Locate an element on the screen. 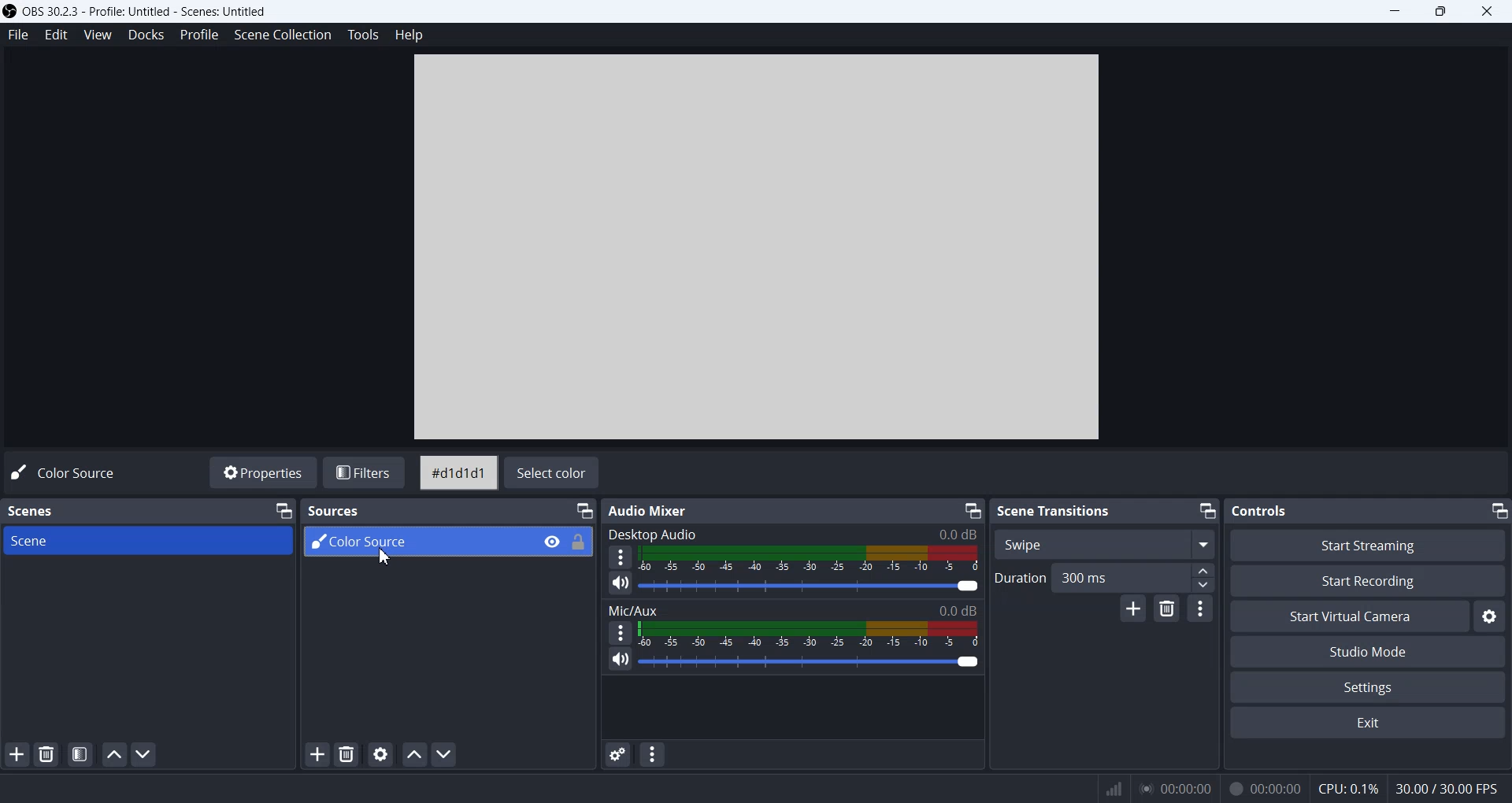  Move Scene Down is located at coordinates (146, 753).